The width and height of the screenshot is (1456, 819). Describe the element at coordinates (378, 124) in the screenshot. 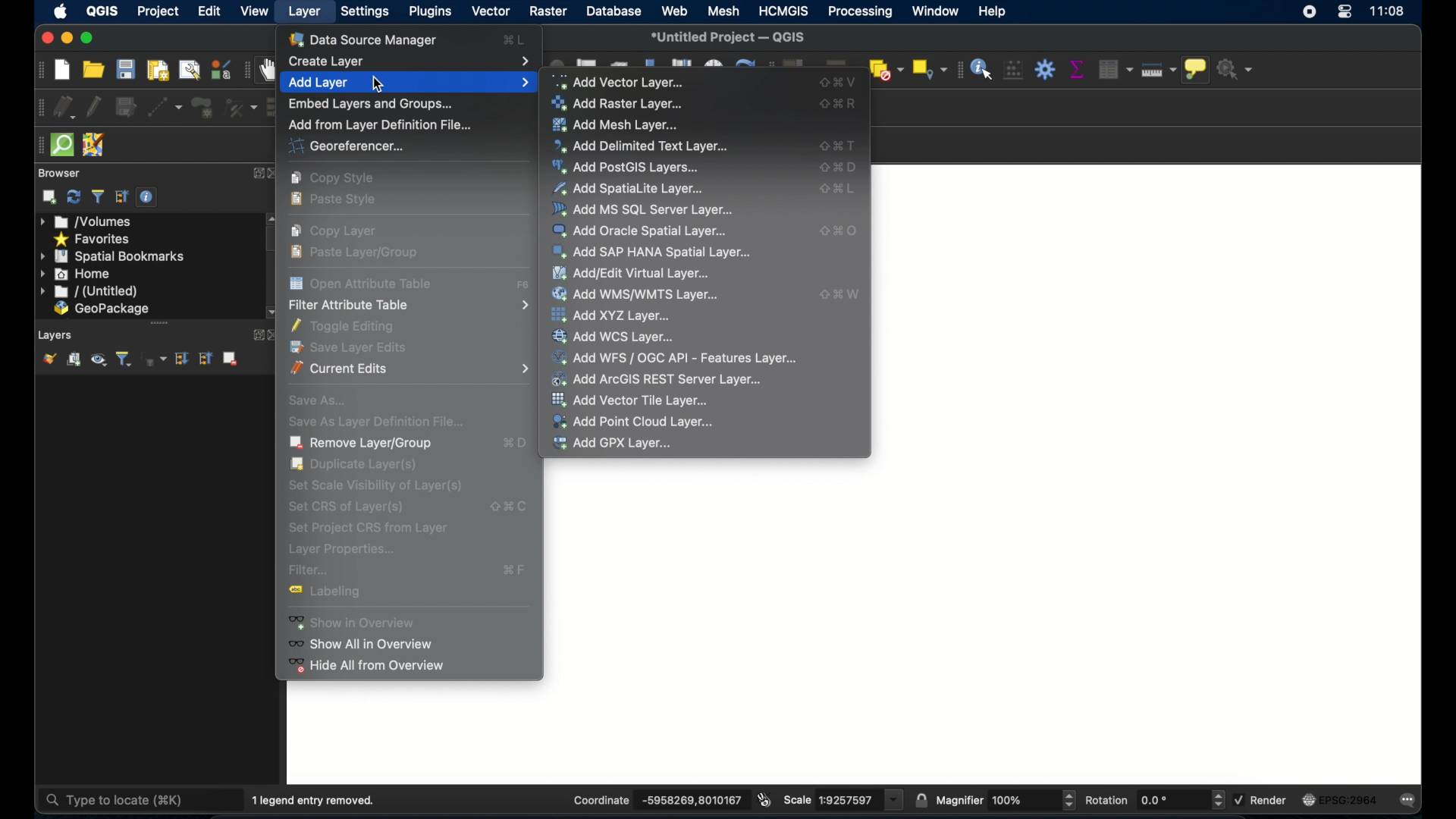

I see `add from layer definition file` at that location.